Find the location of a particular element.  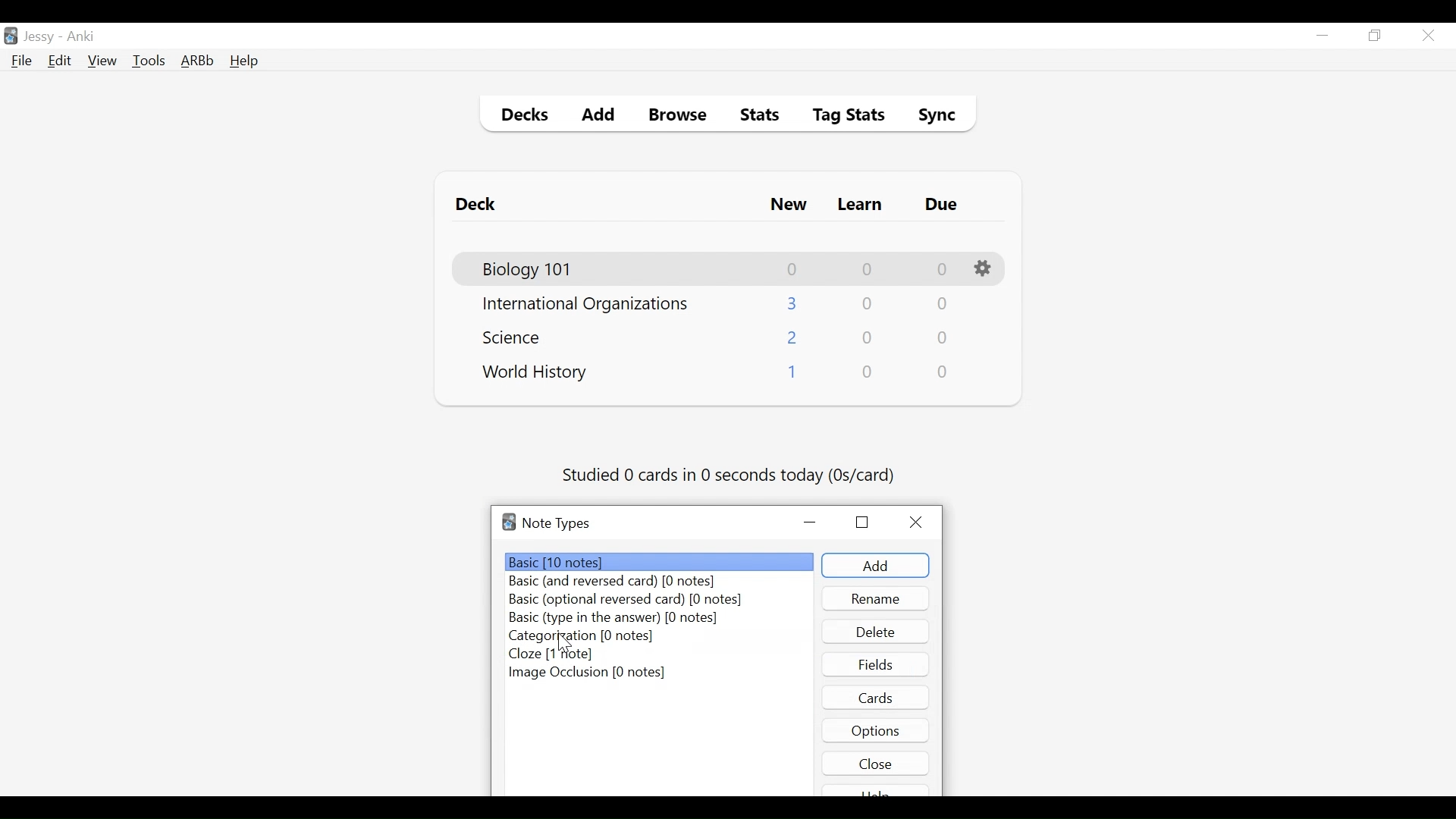

New is located at coordinates (789, 206).